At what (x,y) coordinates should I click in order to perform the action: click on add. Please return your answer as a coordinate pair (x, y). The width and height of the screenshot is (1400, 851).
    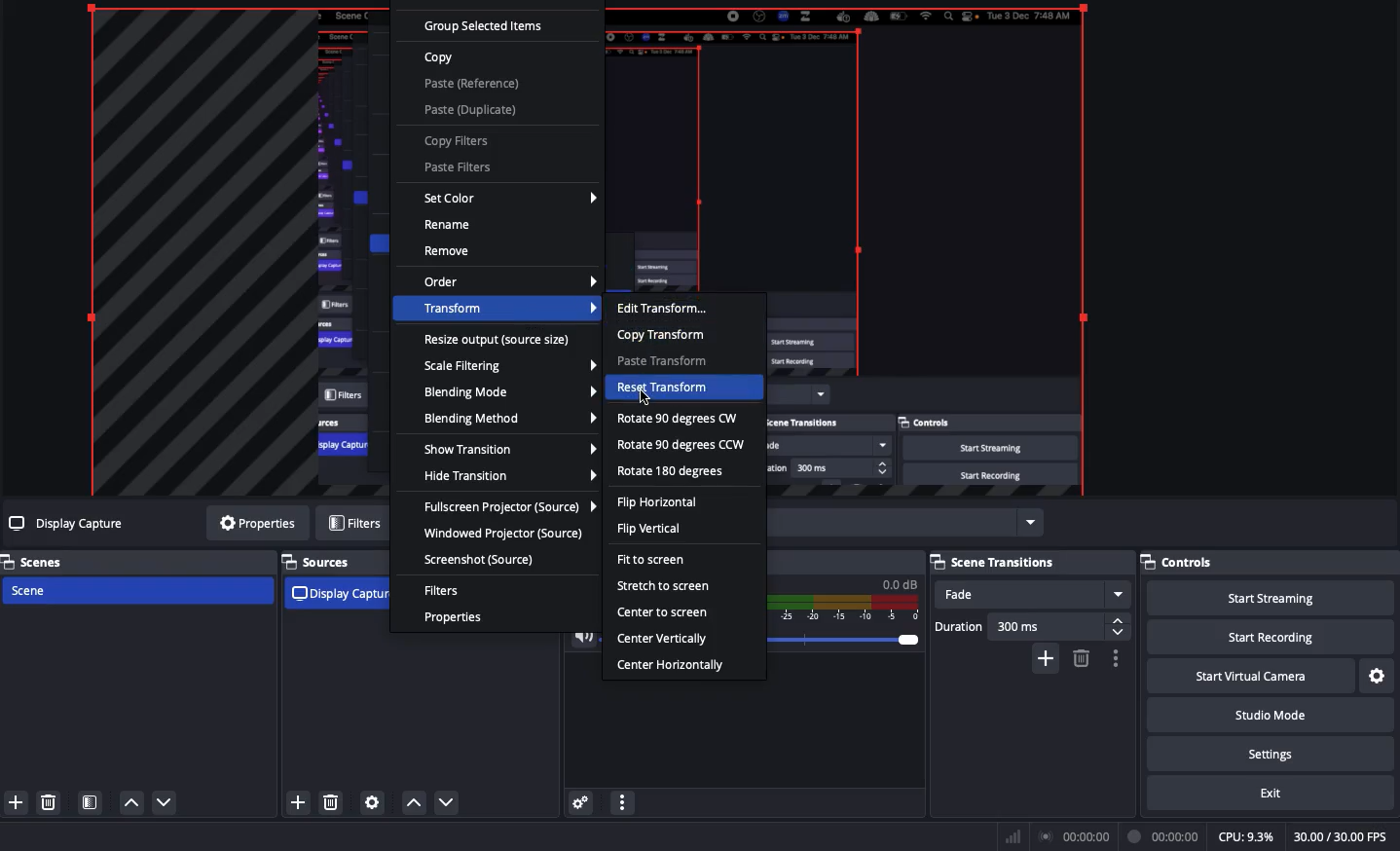
    Looking at the image, I should click on (297, 806).